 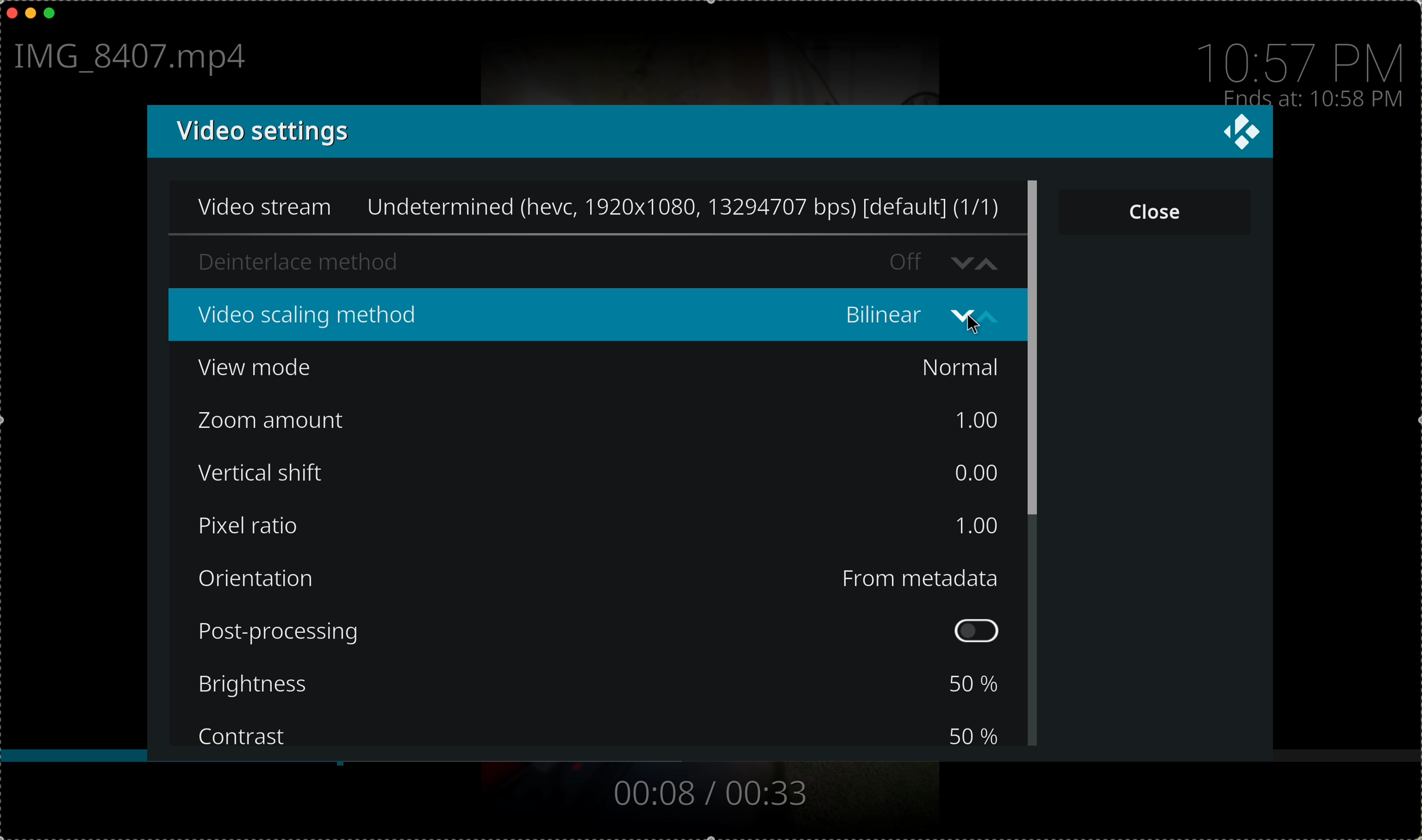 What do you see at coordinates (1035, 462) in the screenshot?
I see `scroll bar` at bounding box center [1035, 462].